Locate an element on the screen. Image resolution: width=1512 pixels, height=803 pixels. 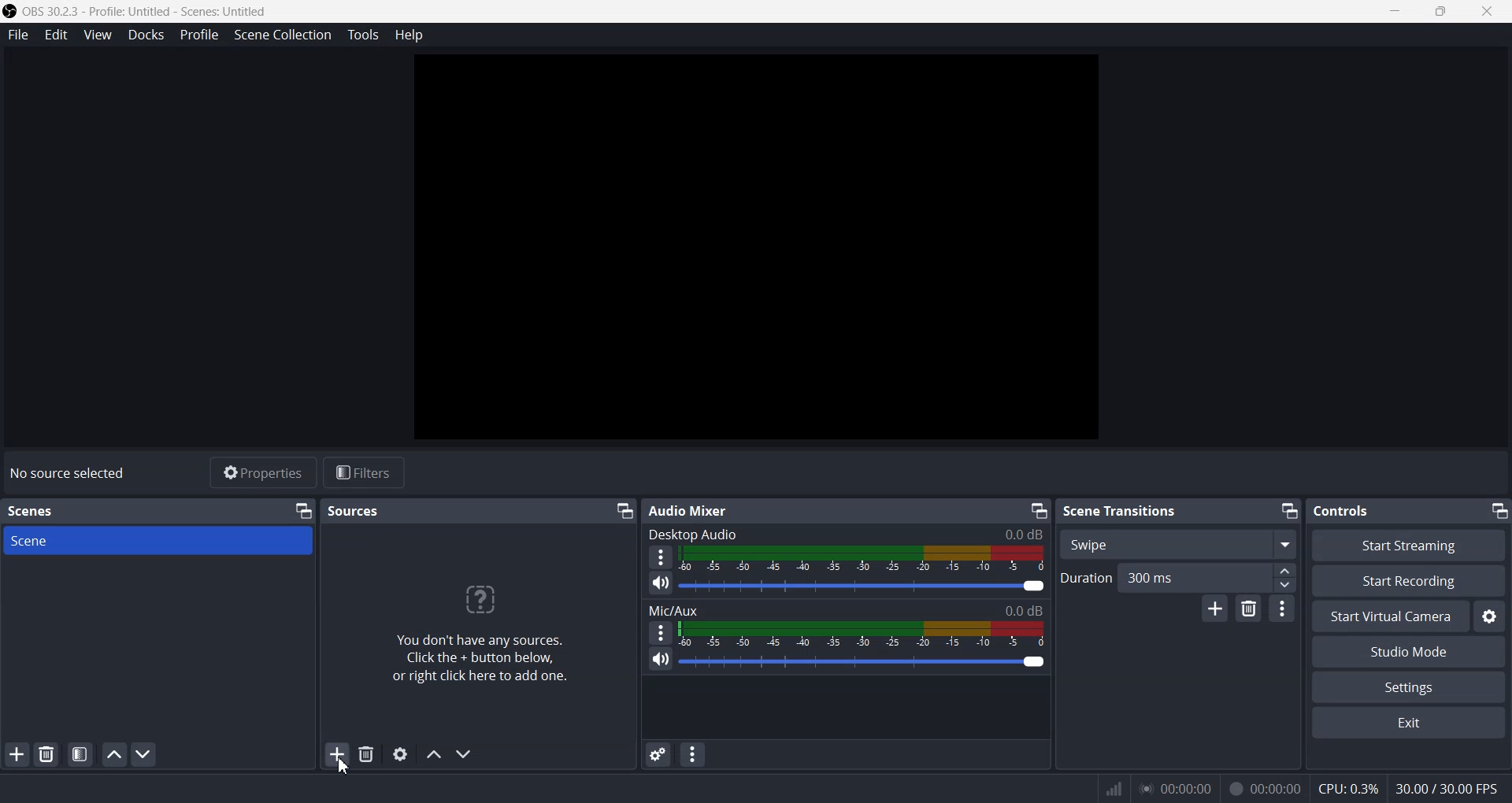
Move Source Up is located at coordinates (432, 754).